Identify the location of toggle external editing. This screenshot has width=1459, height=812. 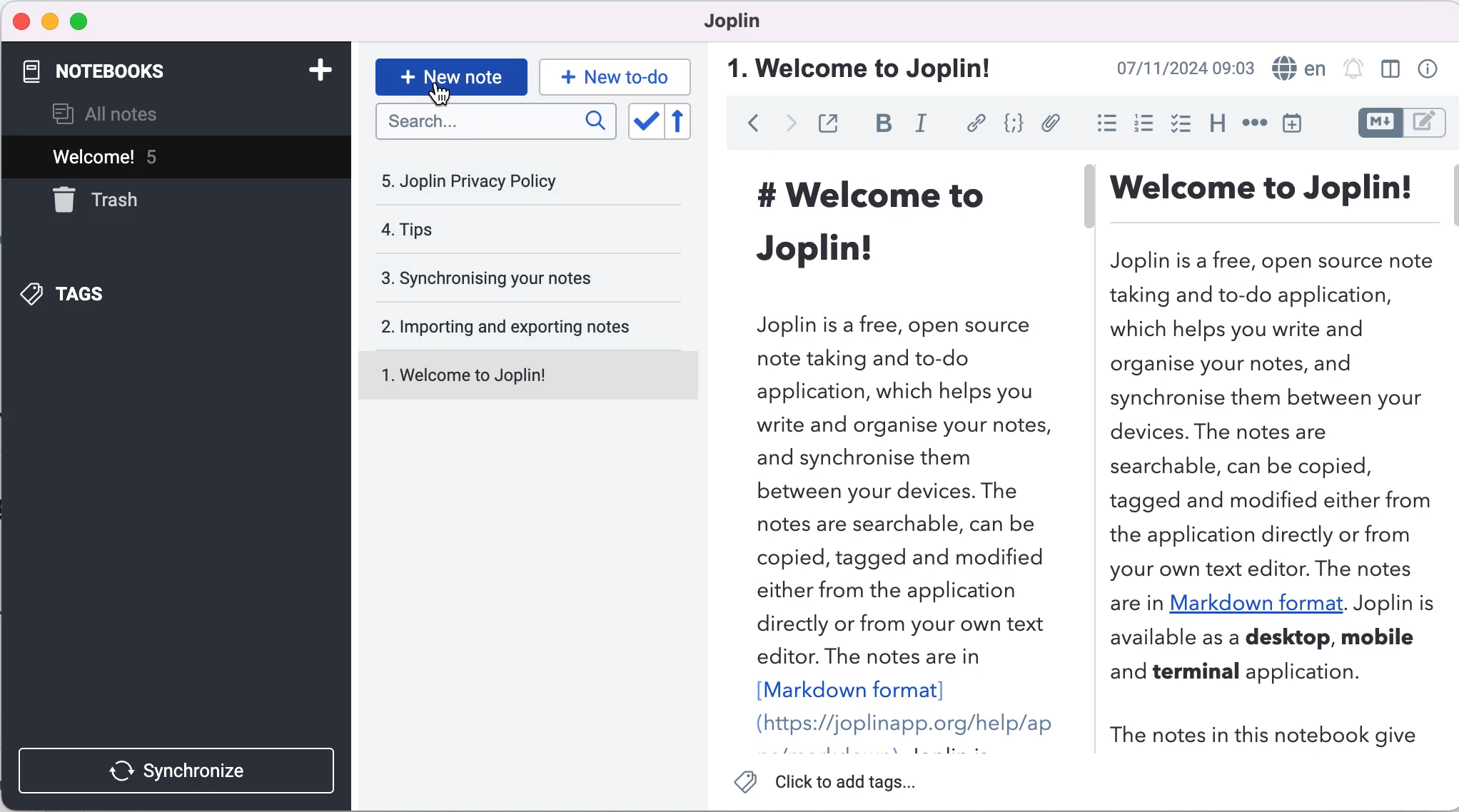
(835, 122).